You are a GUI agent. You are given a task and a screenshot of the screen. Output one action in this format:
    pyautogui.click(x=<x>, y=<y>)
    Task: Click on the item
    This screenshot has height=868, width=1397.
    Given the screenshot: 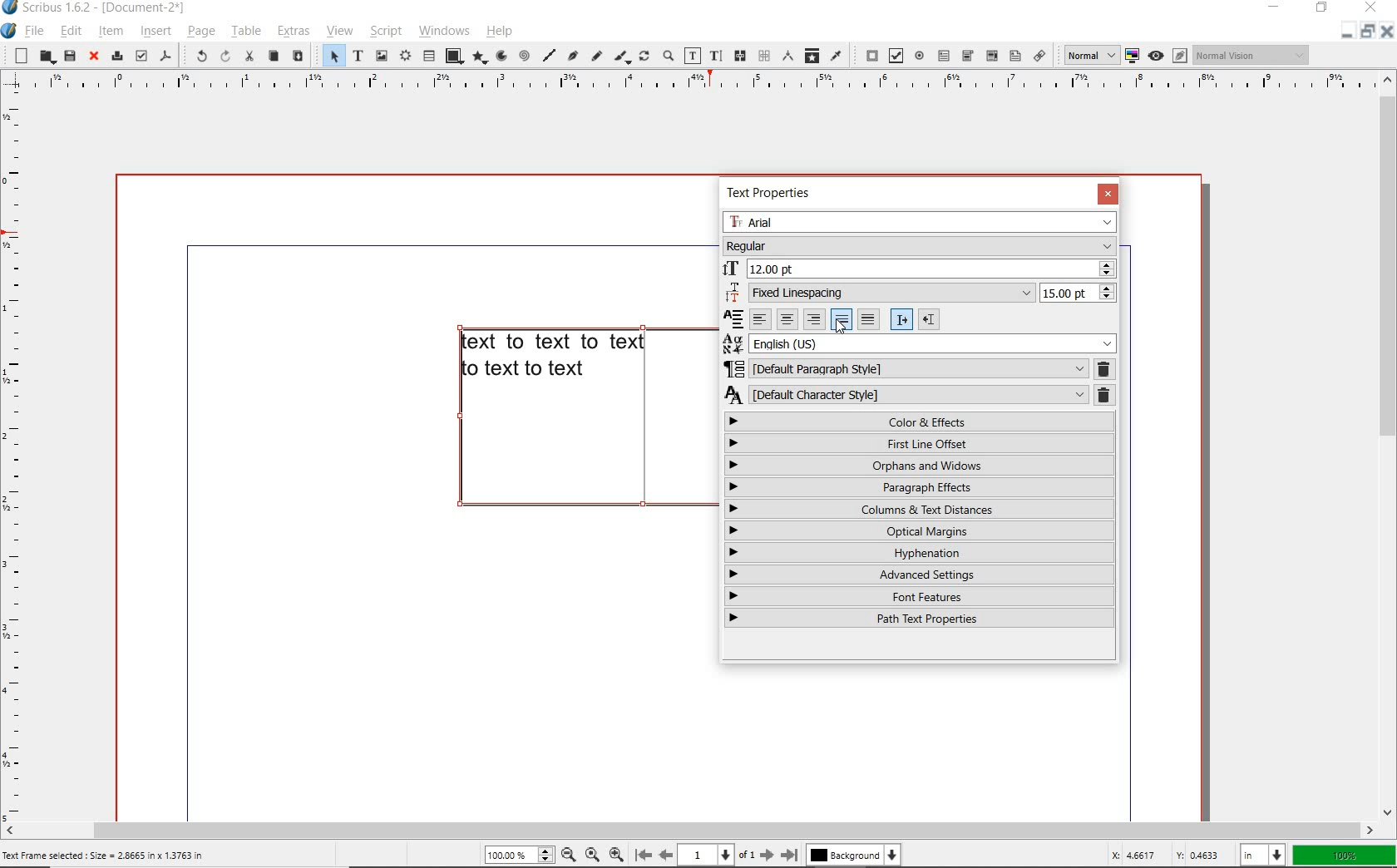 What is the action you would take?
    pyautogui.click(x=113, y=32)
    